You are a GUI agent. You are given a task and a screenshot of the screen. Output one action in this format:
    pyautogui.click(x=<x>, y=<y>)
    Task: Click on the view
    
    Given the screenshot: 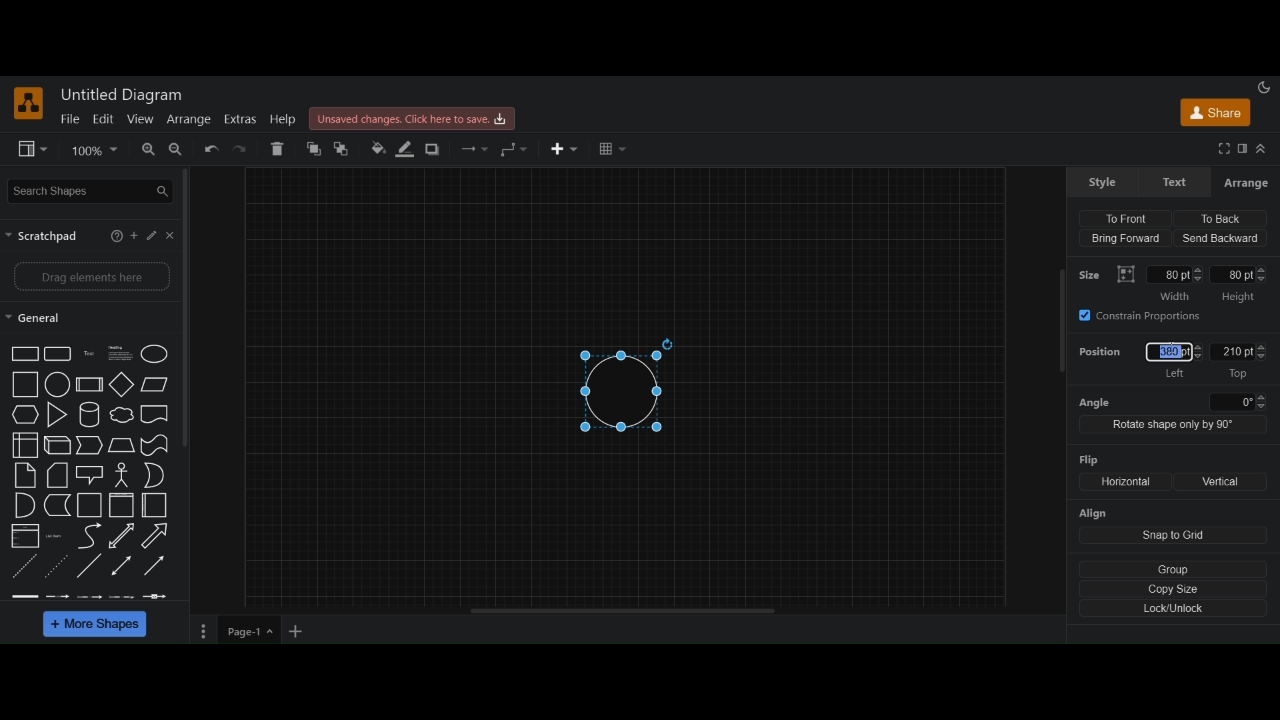 What is the action you would take?
    pyautogui.click(x=139, y=119)
    